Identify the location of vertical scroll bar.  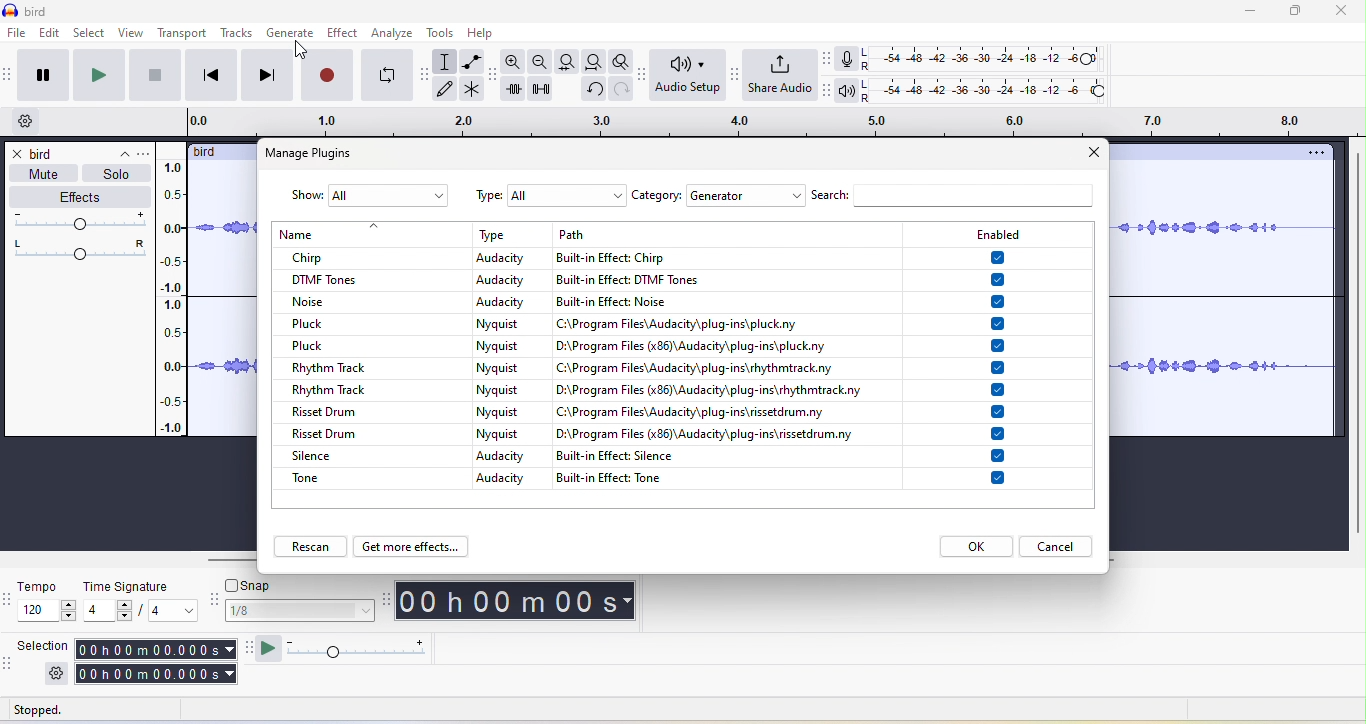
(1357, 342).